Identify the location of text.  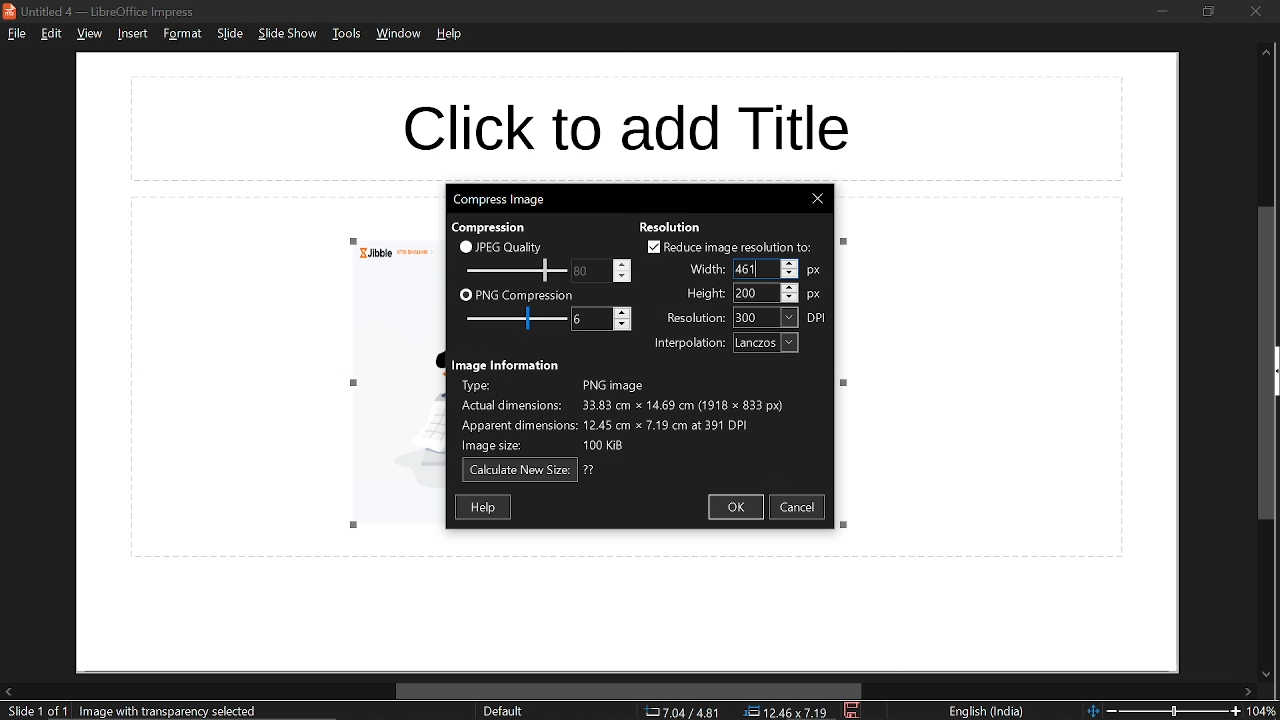
(506, 364).